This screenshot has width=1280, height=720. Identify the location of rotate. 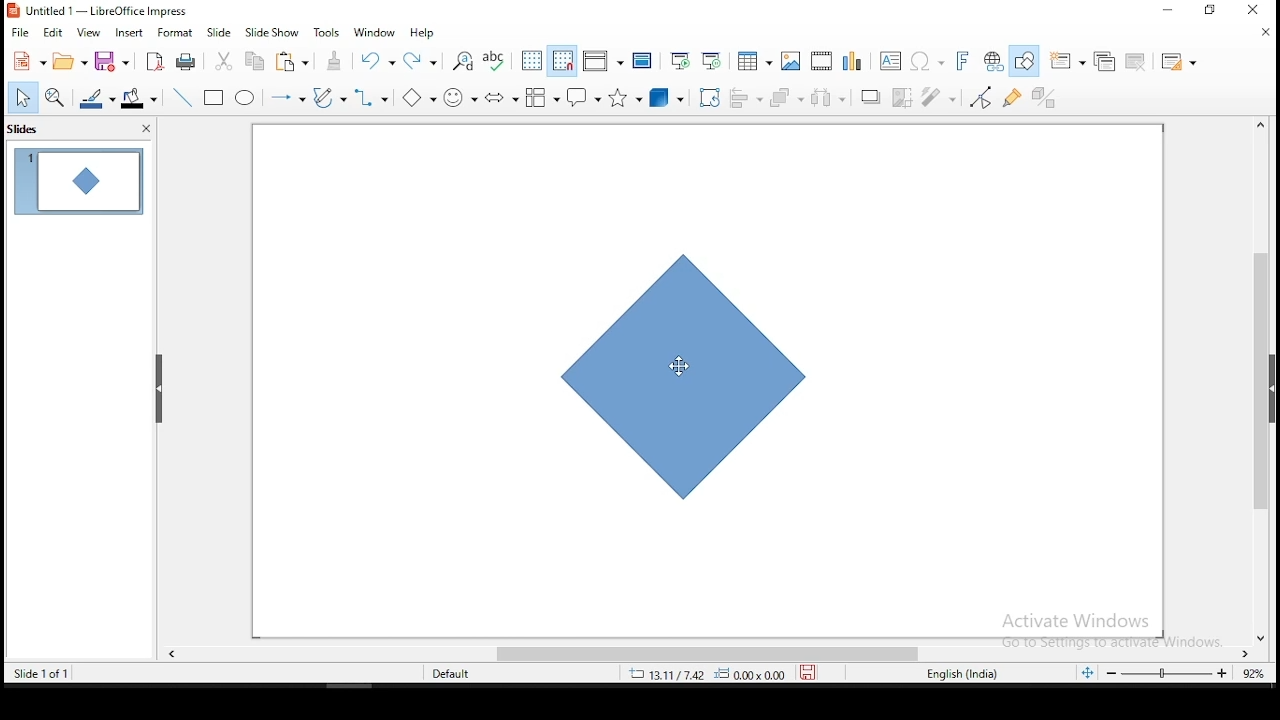
(711, 95).